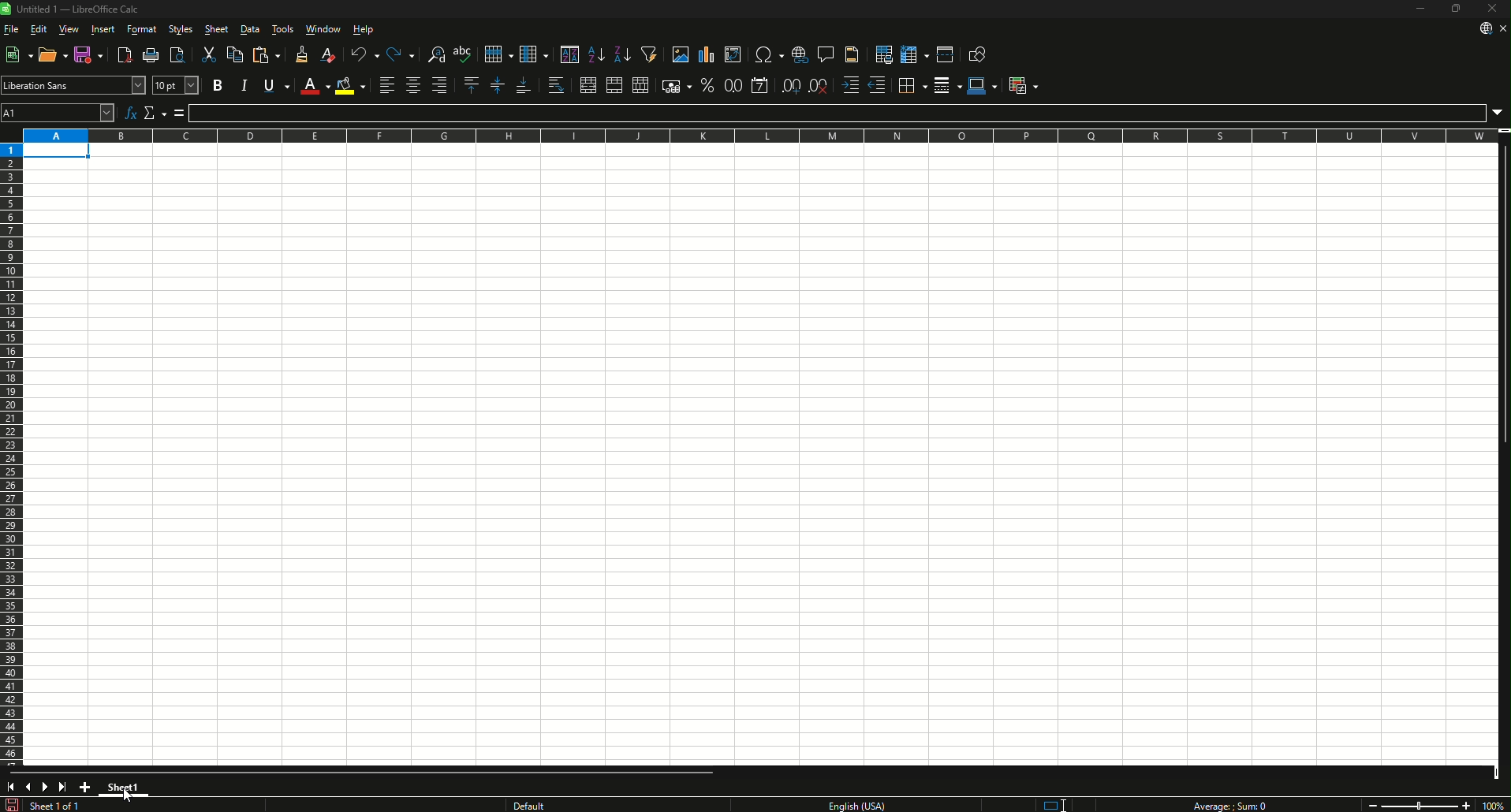  Describe the element at coordinates (878, 85) in the screenshot. I see `Decrease Indent` at that location.